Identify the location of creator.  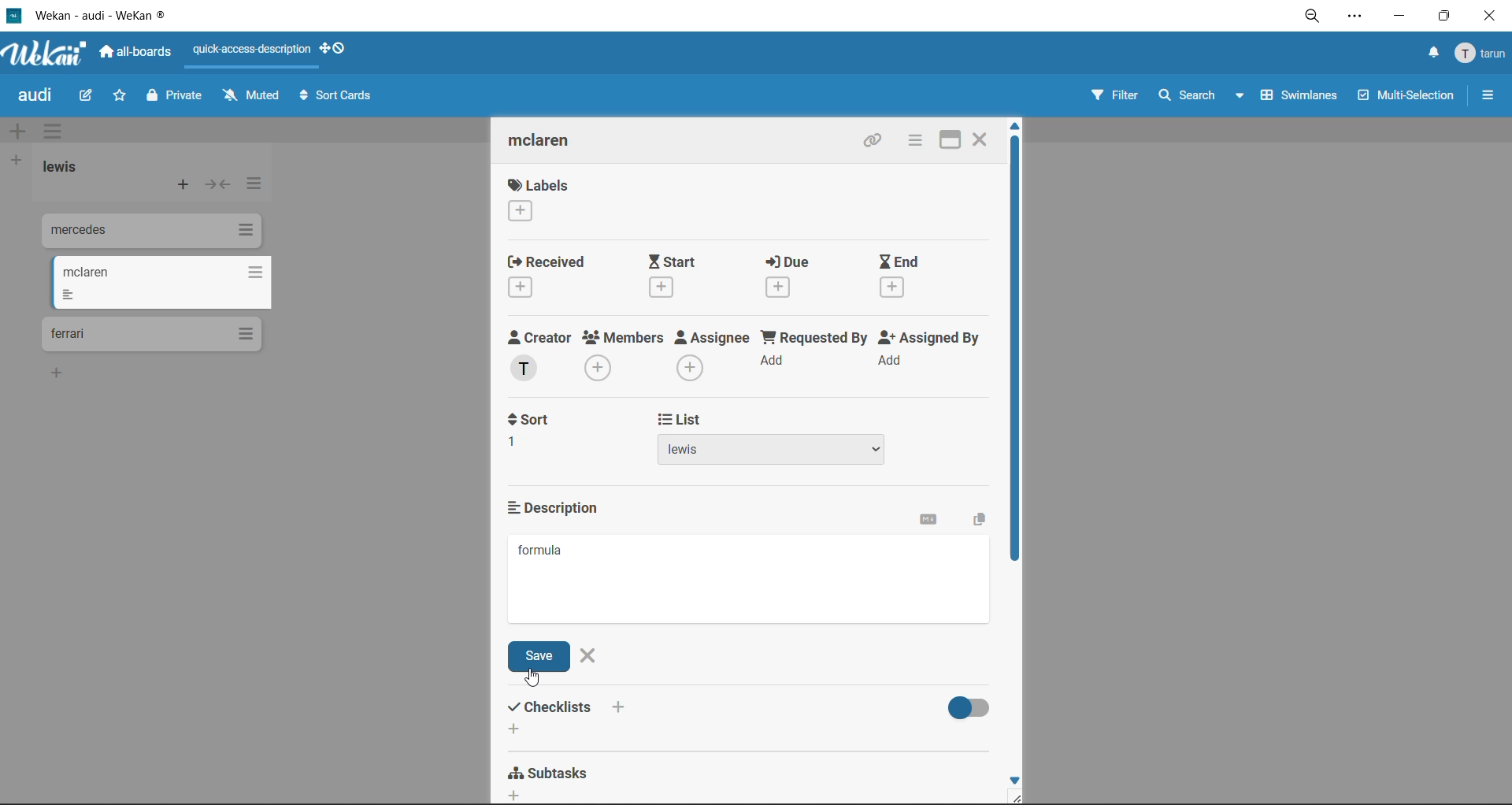
(543, 356).